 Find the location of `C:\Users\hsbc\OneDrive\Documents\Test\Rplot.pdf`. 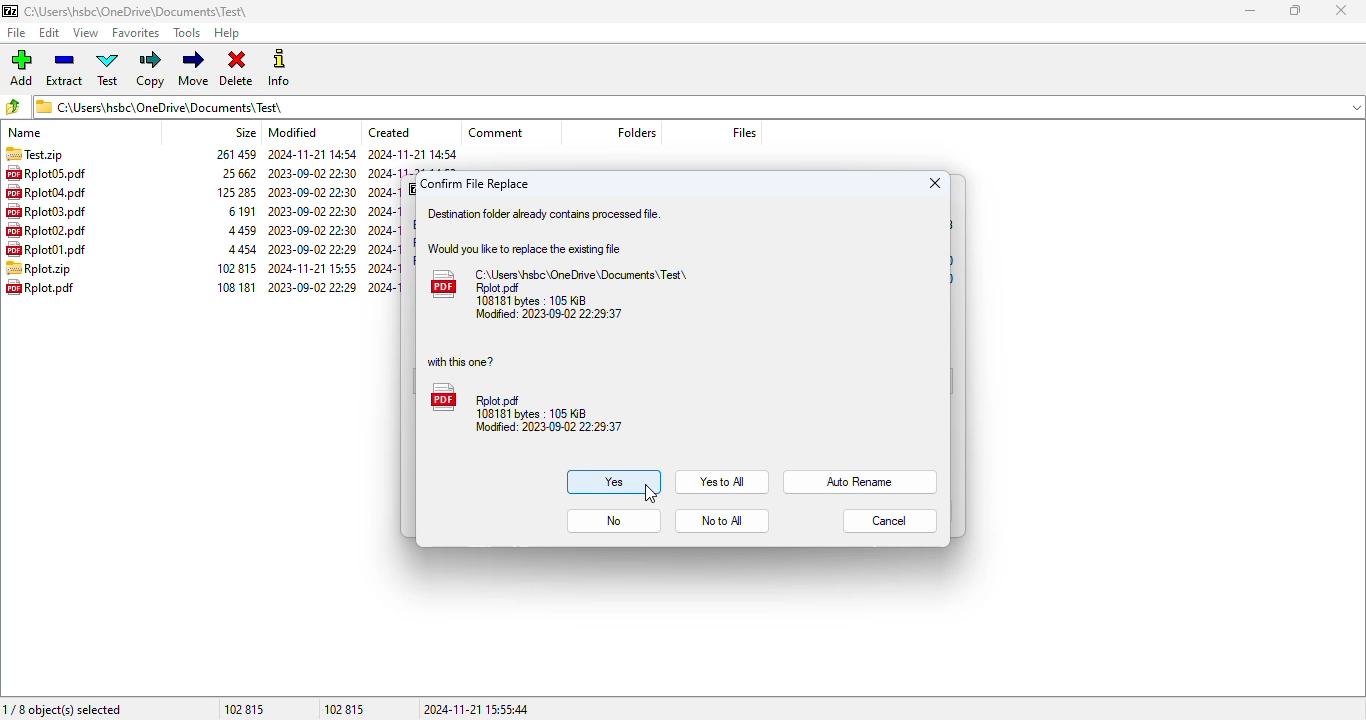

C:\Users\hsbc\OneDrive\Documents\Test\Rplot.pdf is located at coordinates (563, 294).